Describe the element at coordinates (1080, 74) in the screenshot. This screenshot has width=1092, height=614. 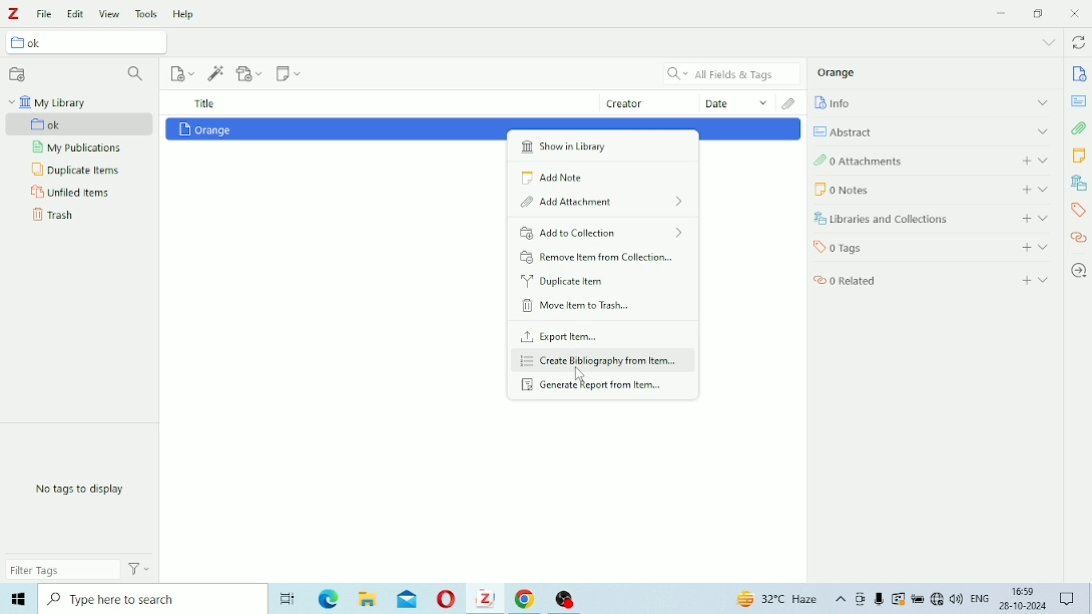
I see `Info` at that location.